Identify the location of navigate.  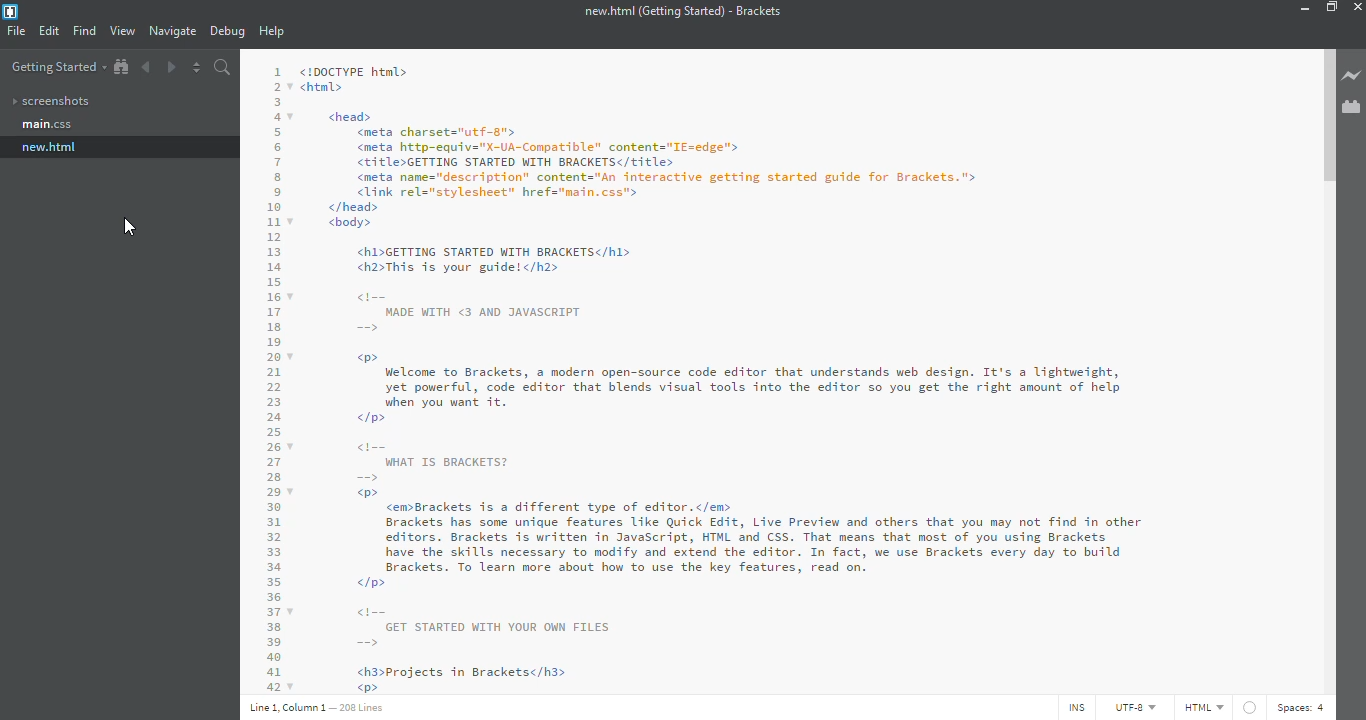
(173, 31).